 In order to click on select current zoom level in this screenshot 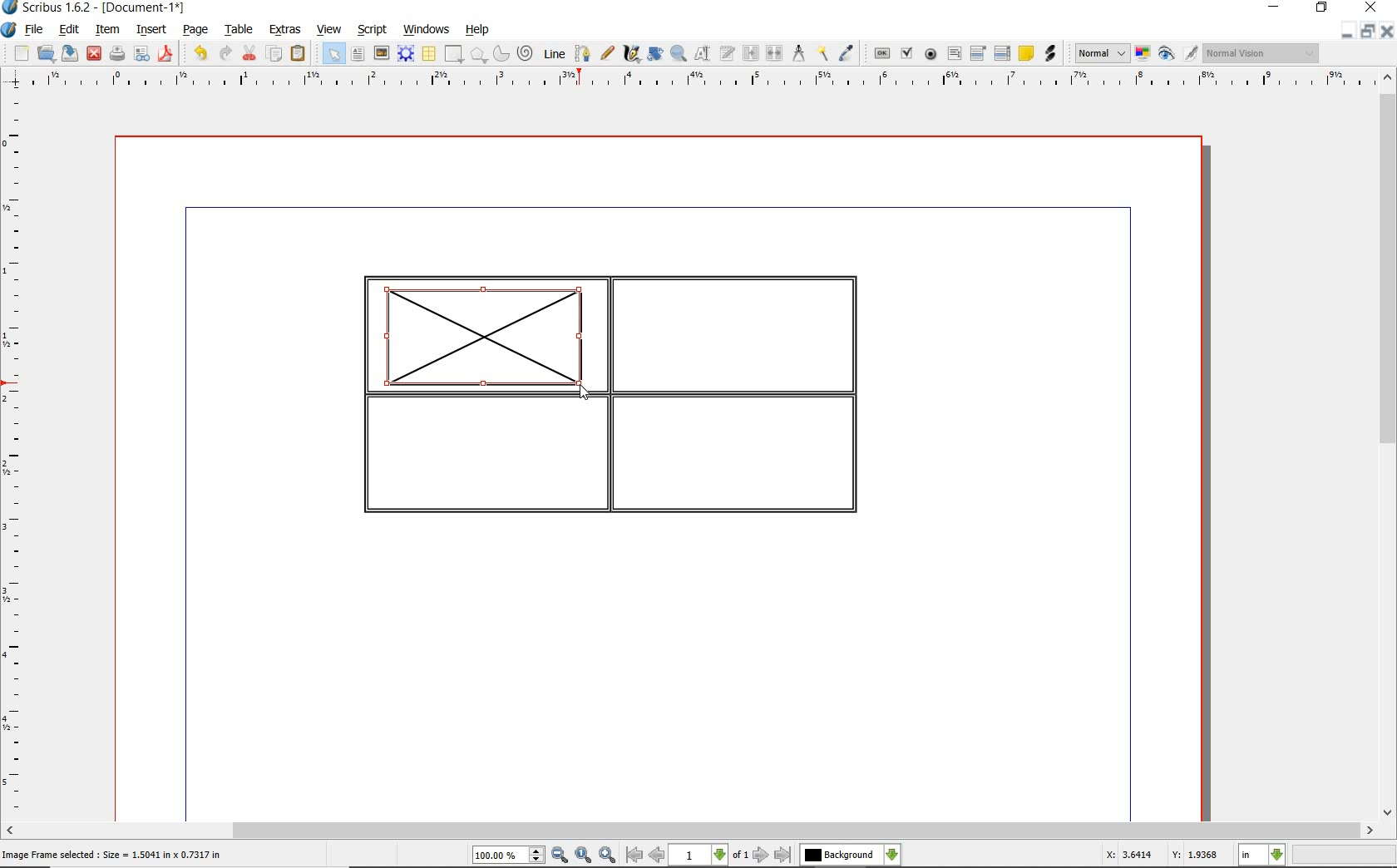, I will do `click(508, 856)`.